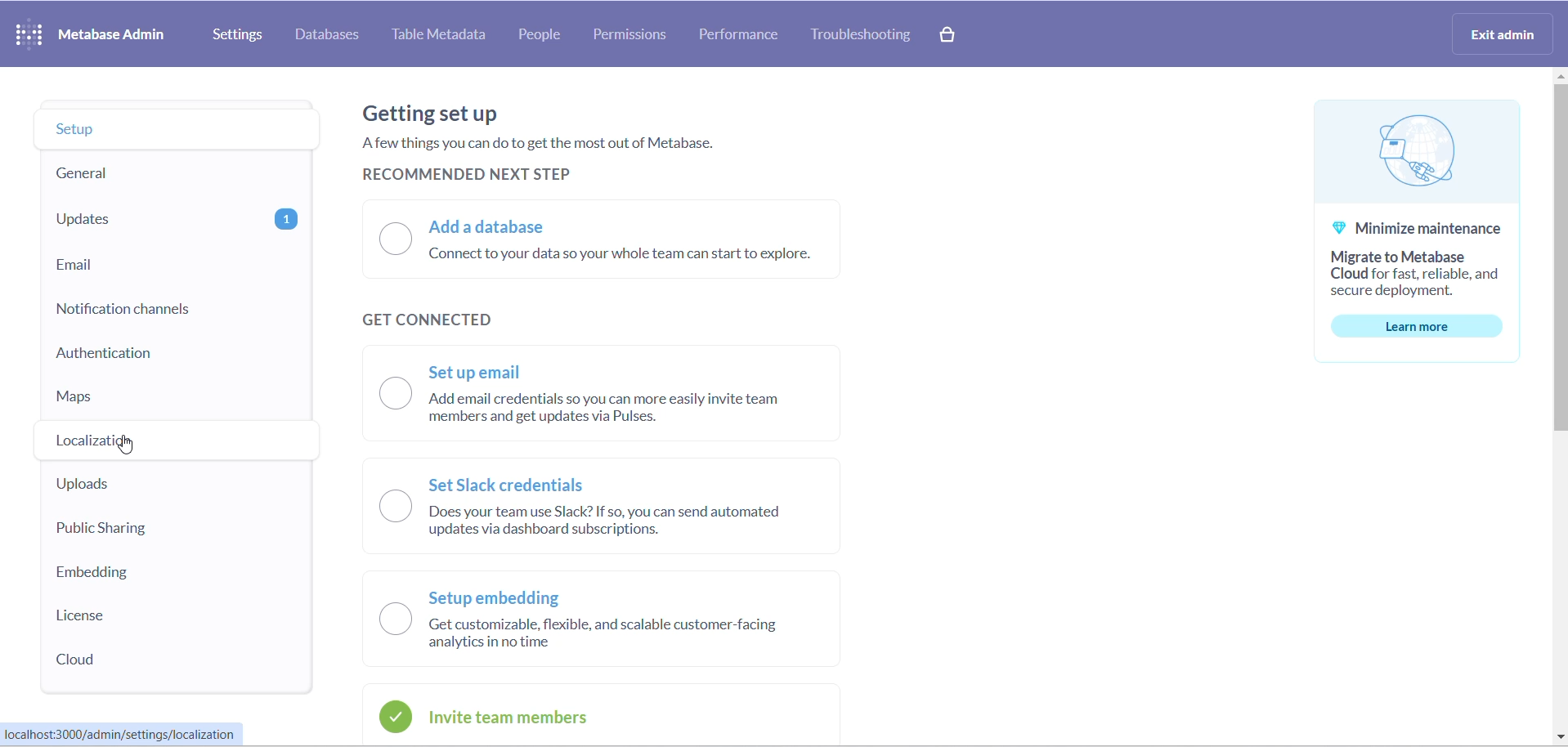  I want to click on get connected , so click(442, 318).